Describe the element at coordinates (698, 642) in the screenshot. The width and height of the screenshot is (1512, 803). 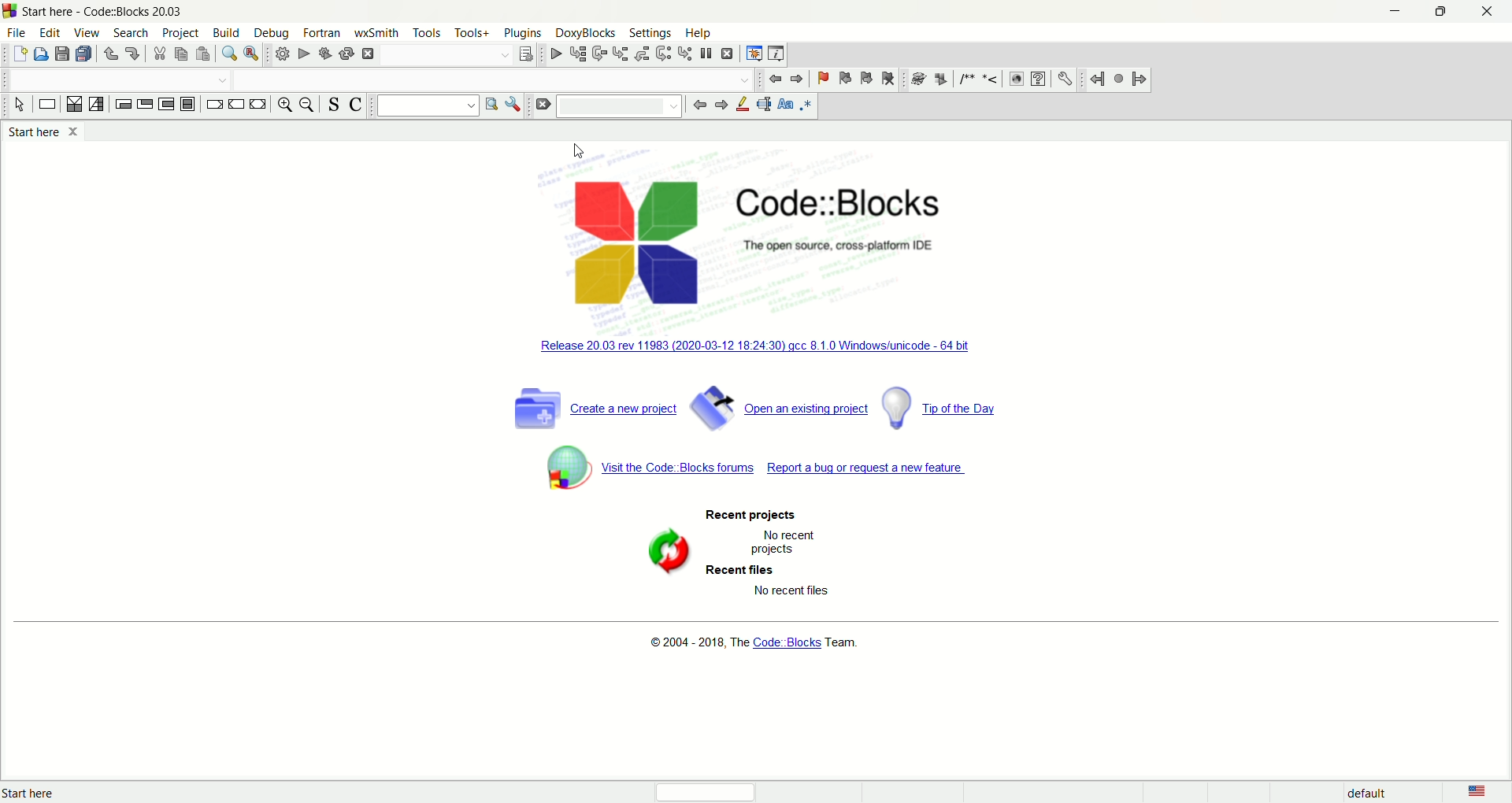
I see `text` at that location.